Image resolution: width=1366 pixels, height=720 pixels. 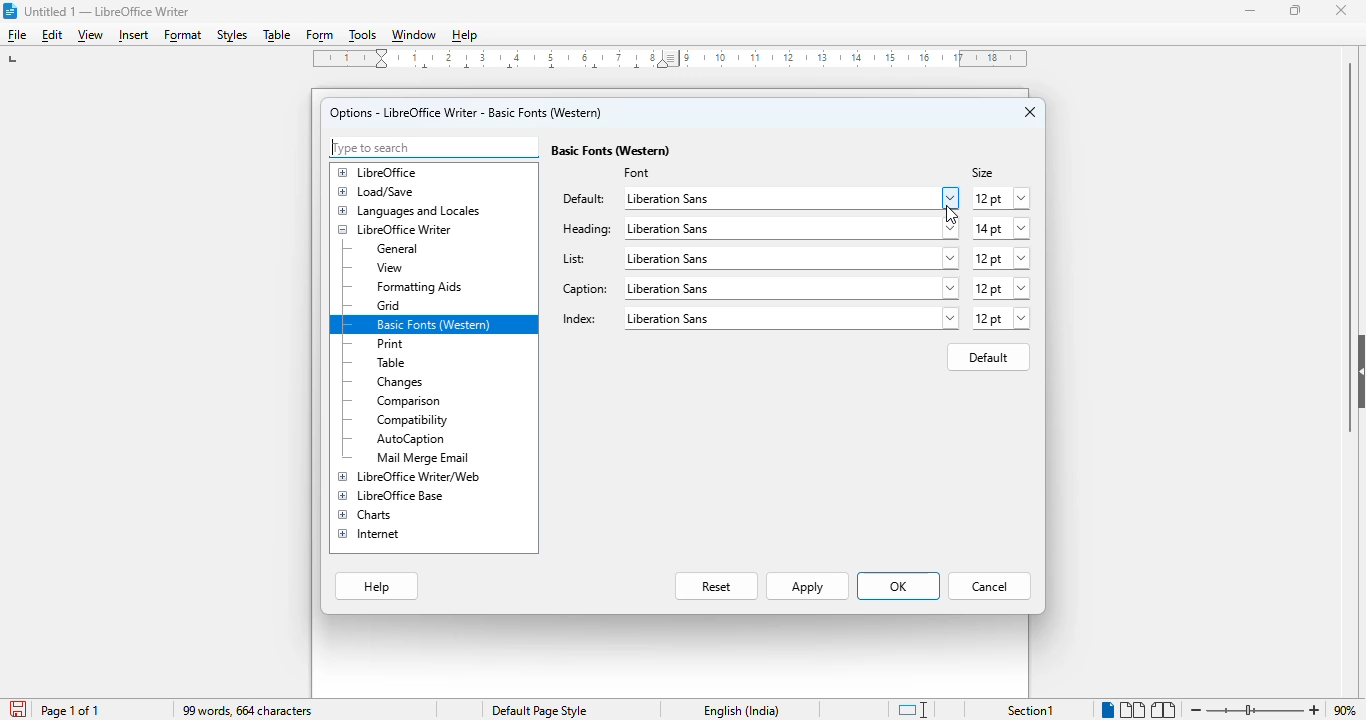 I want to click on close, so click(x=1342, y=9).